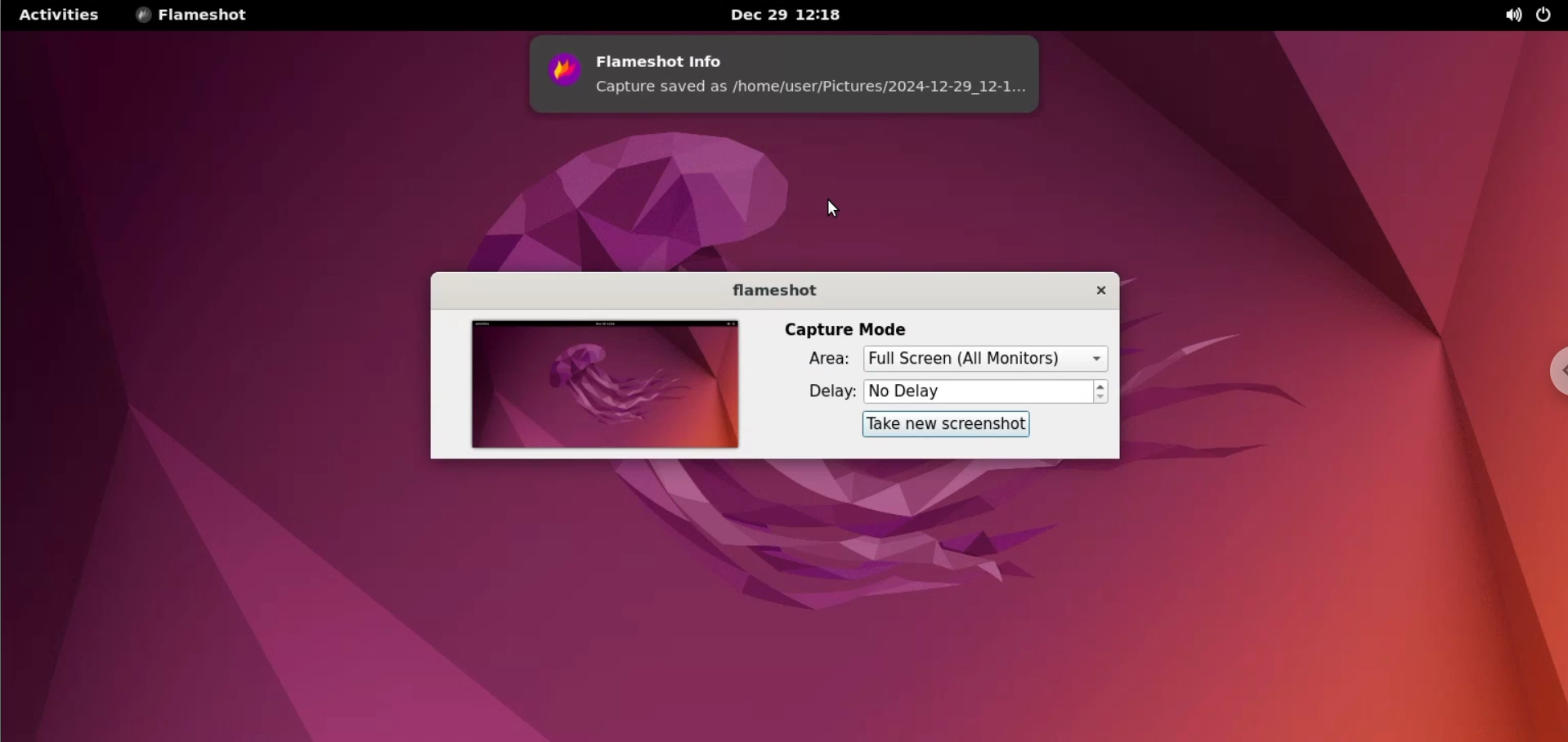 This screenshot has height=742, width=1568. What do you see at coordinates (1095, 291) in the screenshot?
I see `close` at bounding box center [1095, 291].